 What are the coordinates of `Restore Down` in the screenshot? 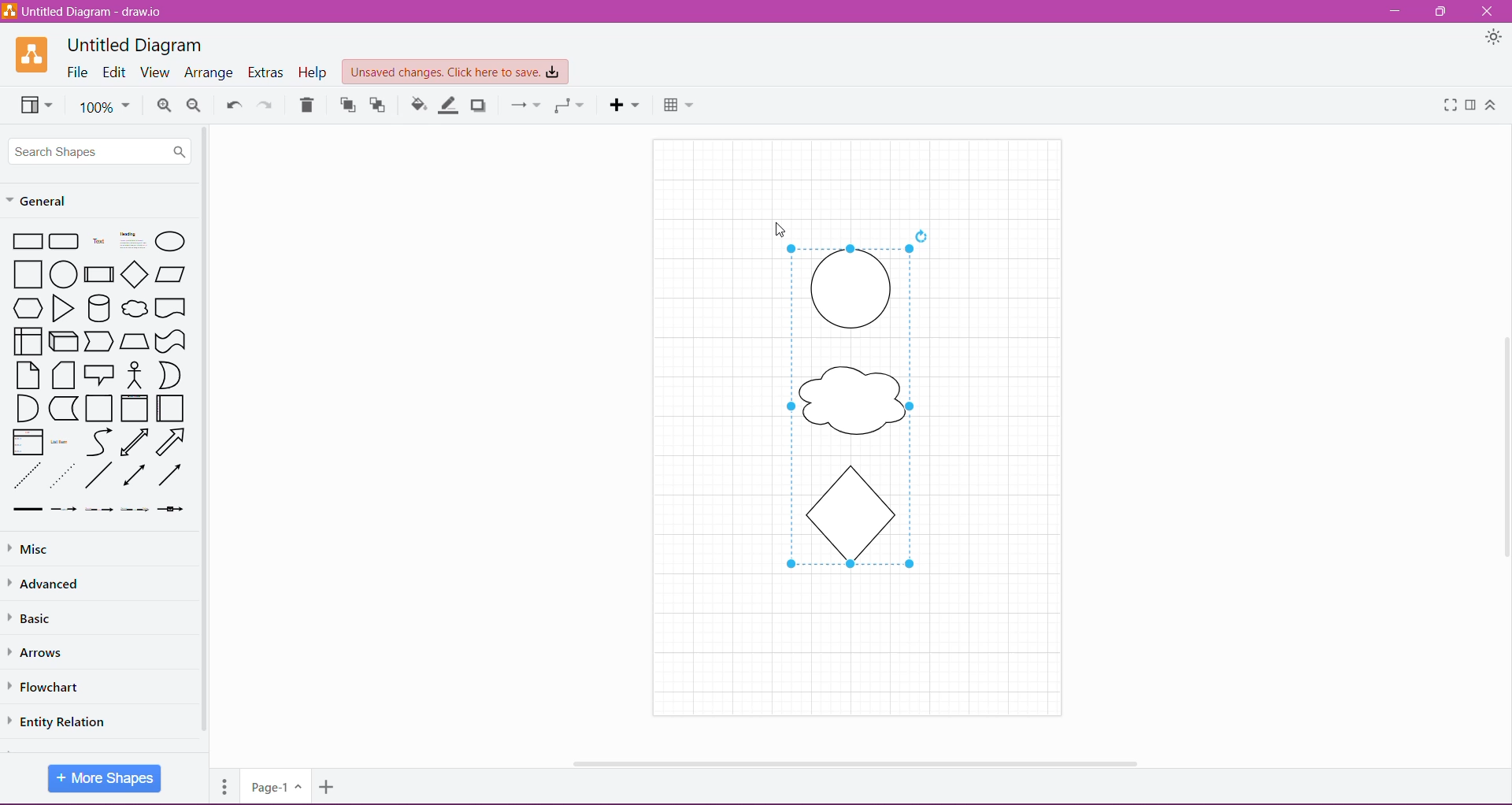 It's located at (1443, 11).